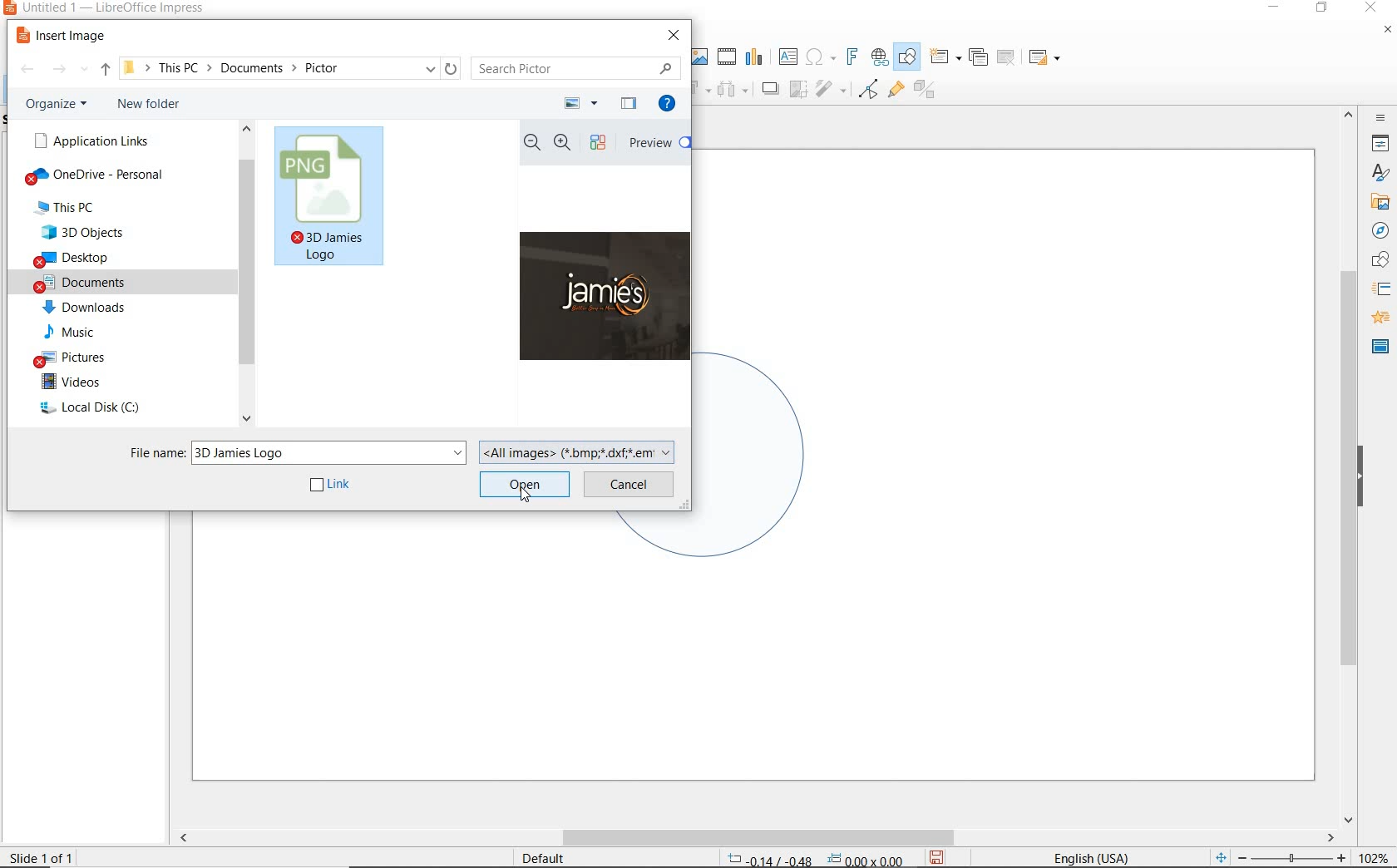  Describe the element at coordinates (80, 332) in the screenshot. I see `music` at that location.